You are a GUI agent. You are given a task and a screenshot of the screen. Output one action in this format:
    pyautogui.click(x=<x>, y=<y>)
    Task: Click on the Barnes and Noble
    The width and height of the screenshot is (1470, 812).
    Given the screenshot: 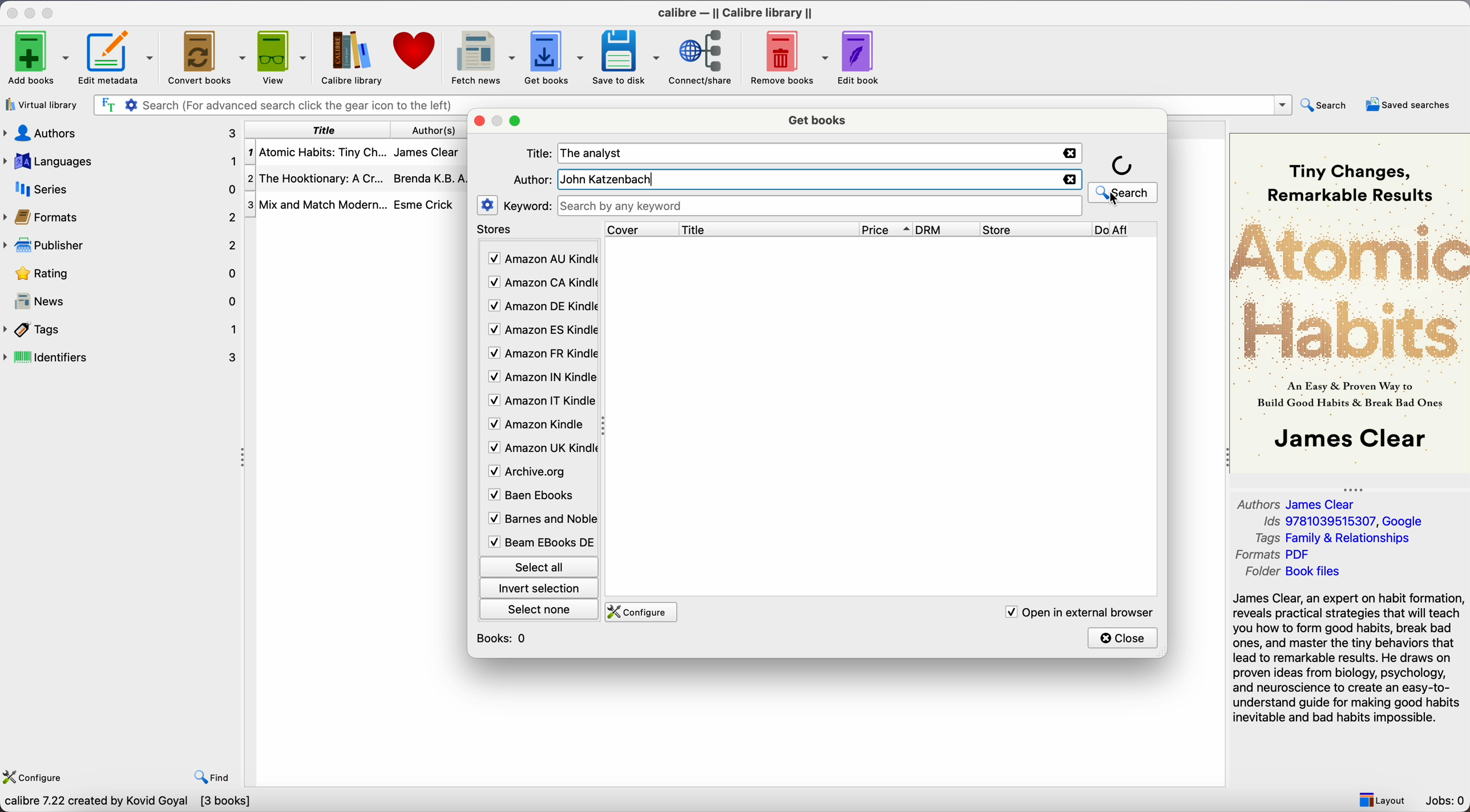 What is the action you would take?
    pyautogui.click(x=538, y=521)
    